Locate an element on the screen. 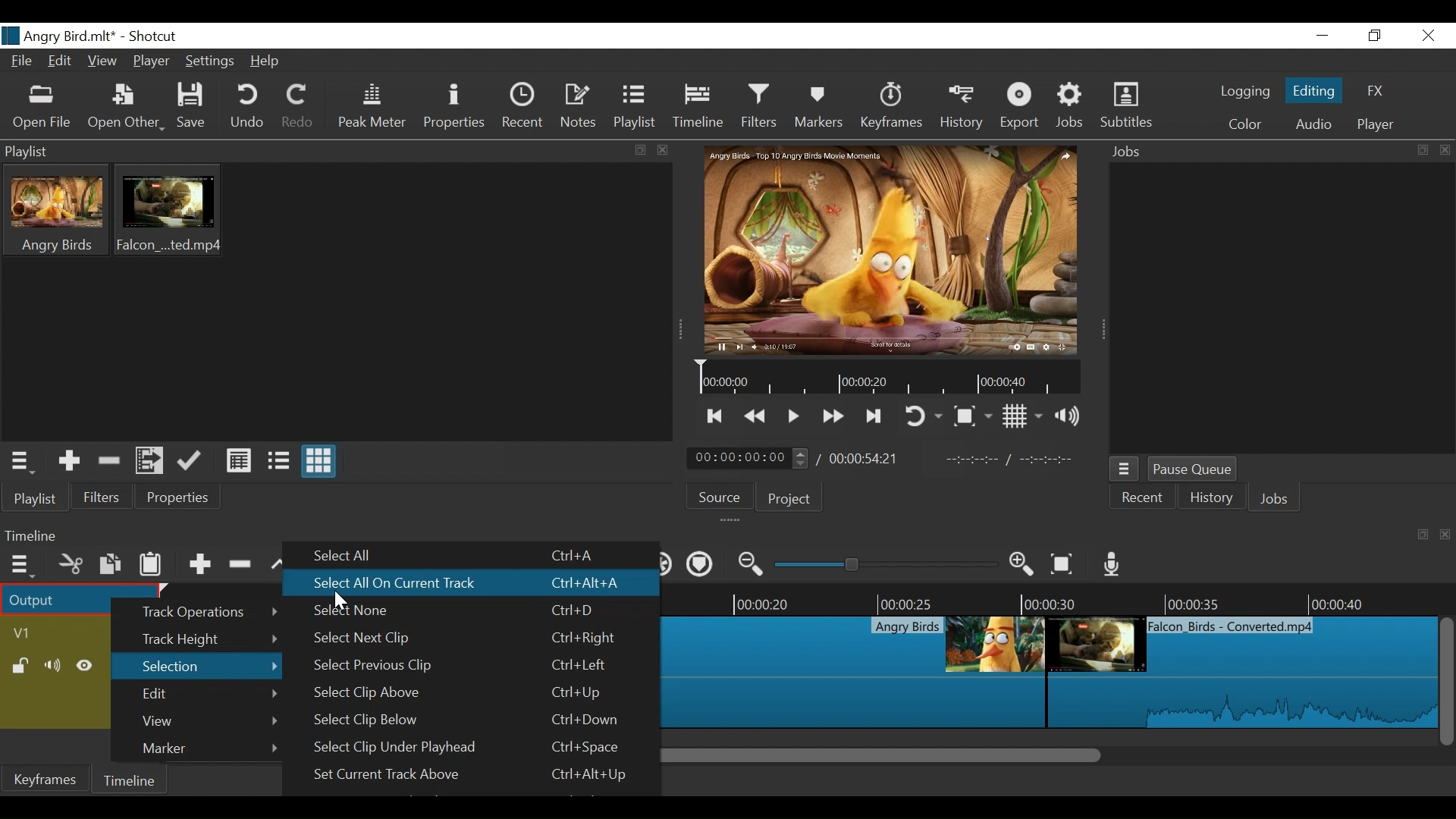 Image resolution: width=1456 pixels, height=819 pixels. Play backward quickly is located at coordinates (757, 417).